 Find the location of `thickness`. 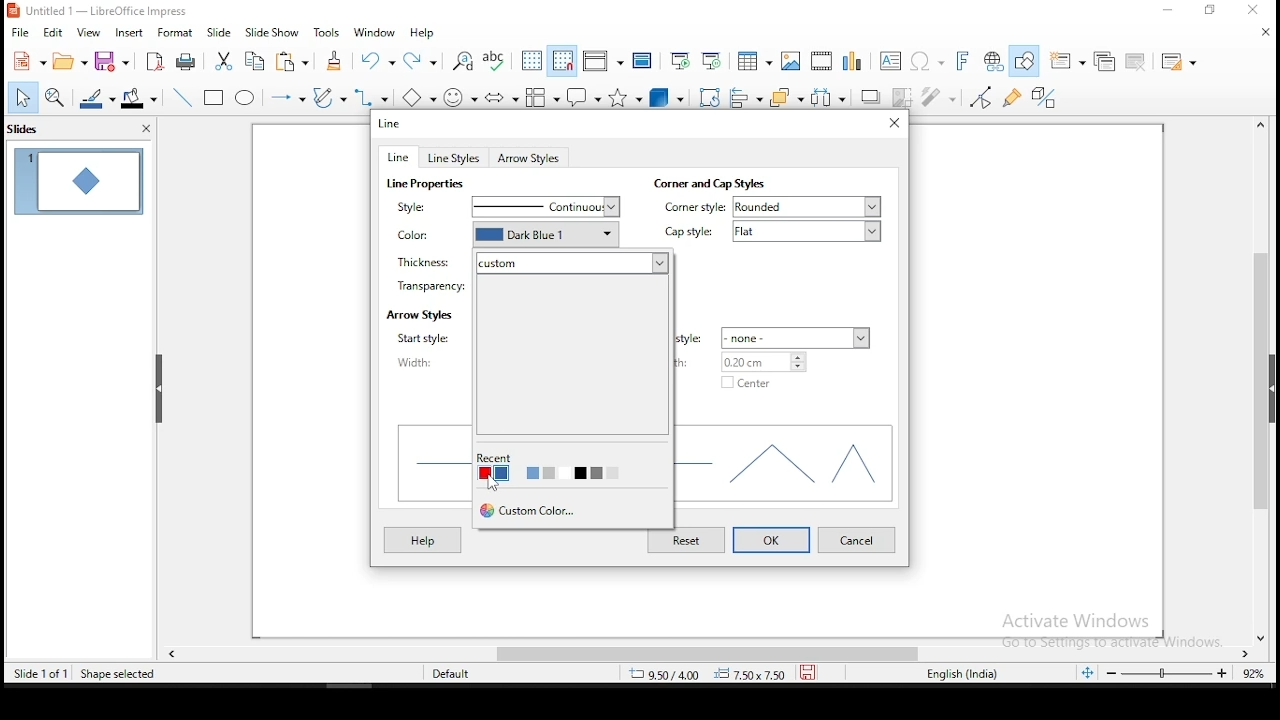

thickness is located at coordinates (426, 260).